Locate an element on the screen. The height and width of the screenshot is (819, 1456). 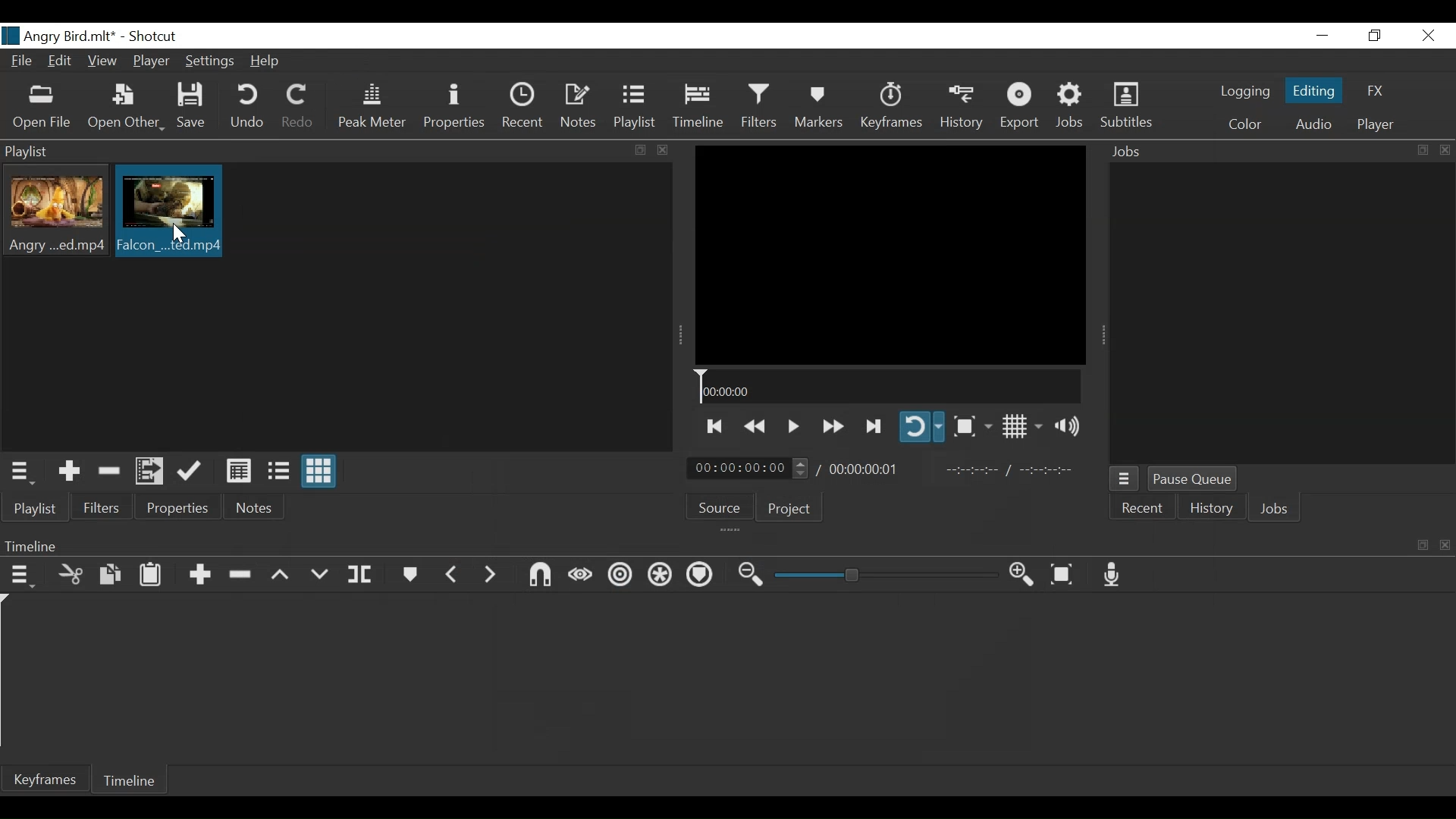
Remove cut is located at coordinates (242, 576).